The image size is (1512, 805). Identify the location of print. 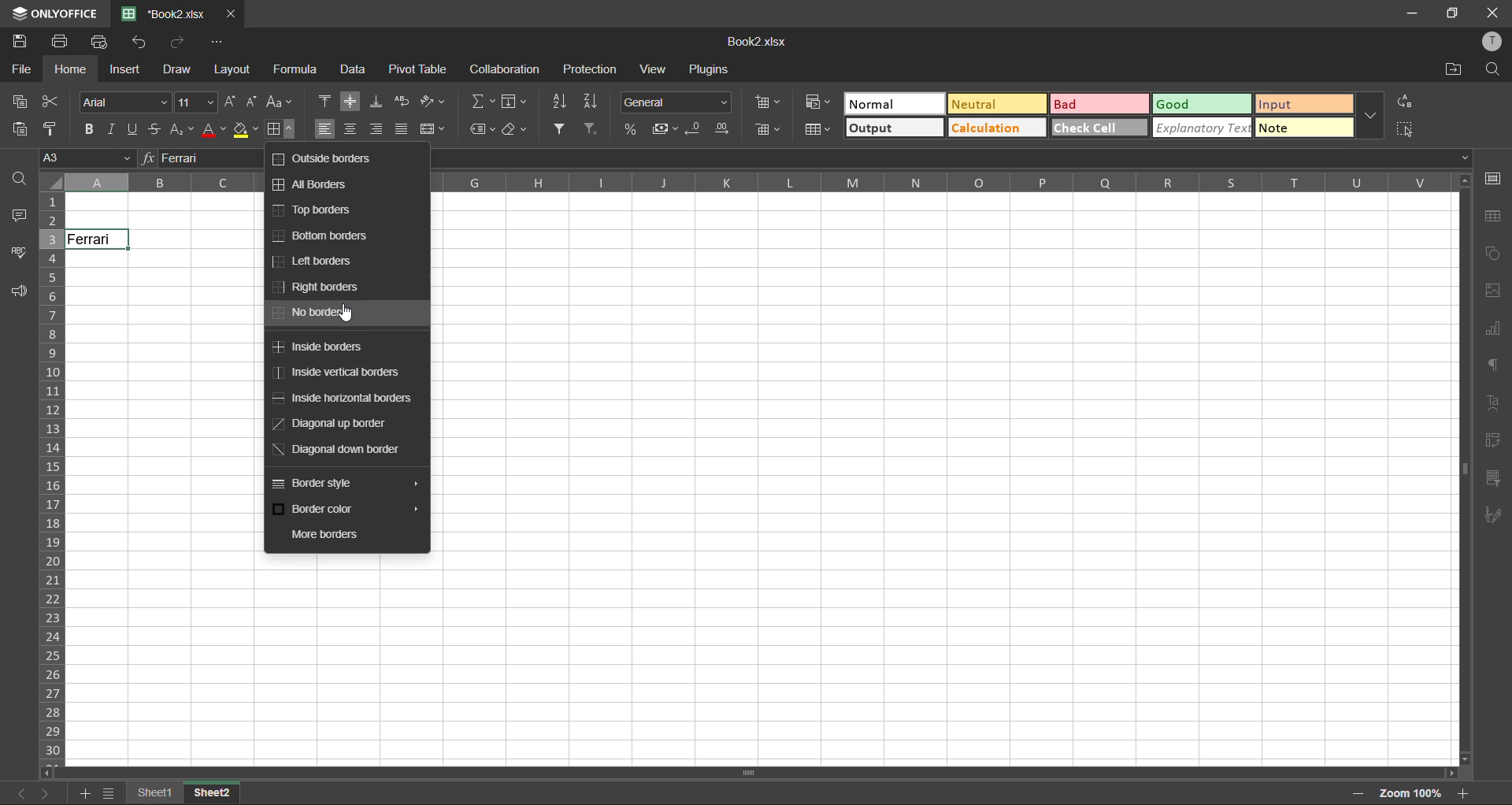
(59, 42).